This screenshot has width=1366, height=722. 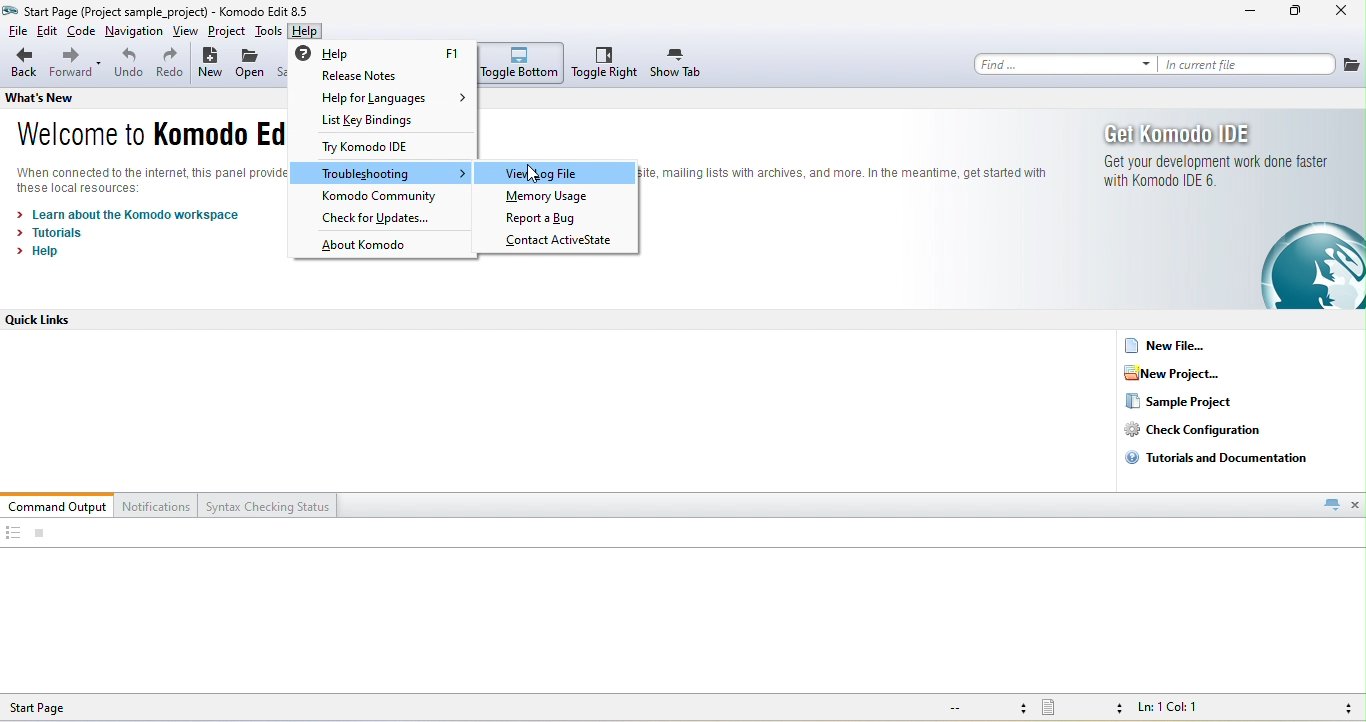 What do you see at coordinates (847, 177) in the screenshot?
I see `text` at bounding box center [847, 177].